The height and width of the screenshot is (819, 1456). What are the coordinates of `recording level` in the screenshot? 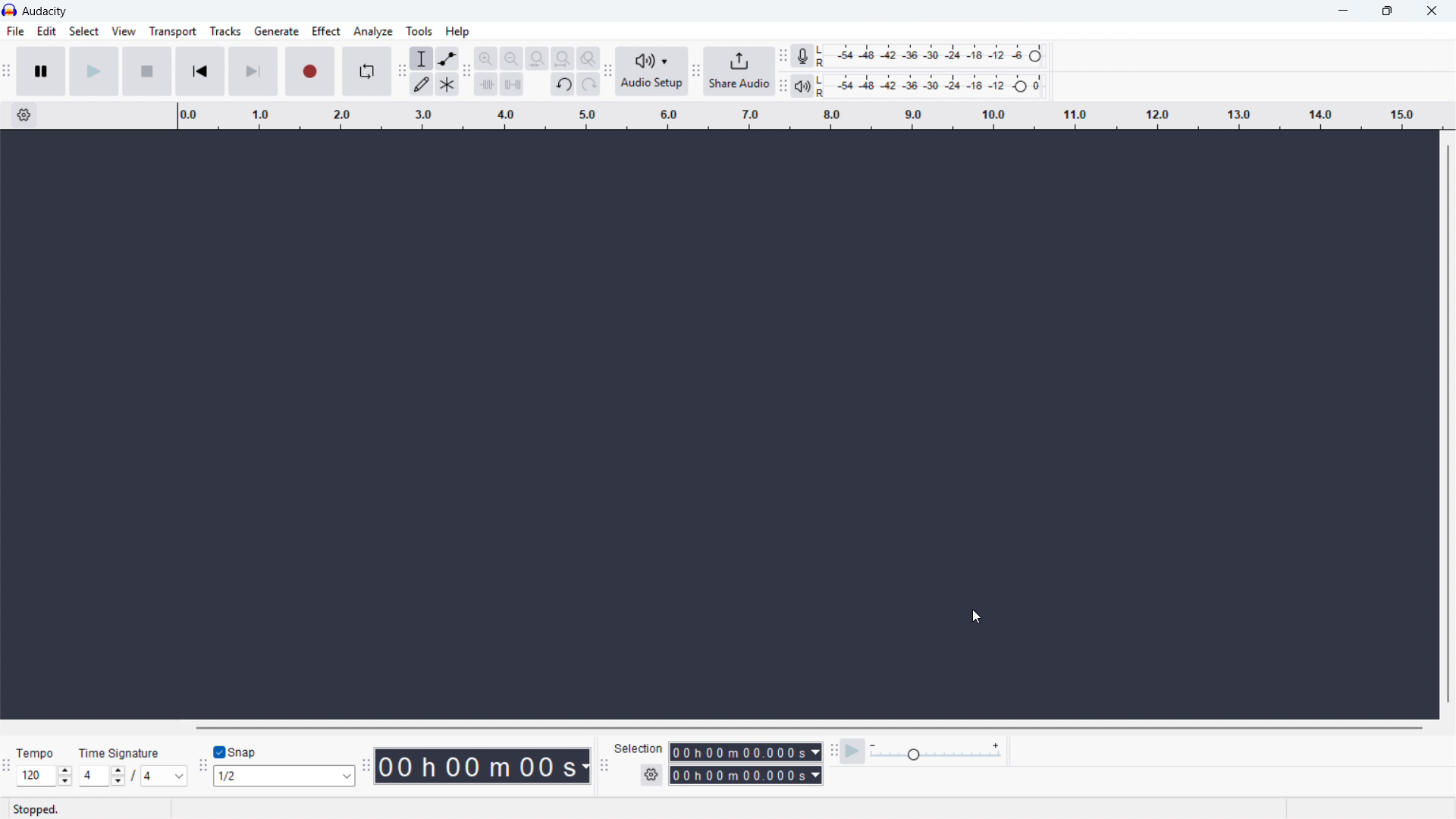 It's located at (934, 56).